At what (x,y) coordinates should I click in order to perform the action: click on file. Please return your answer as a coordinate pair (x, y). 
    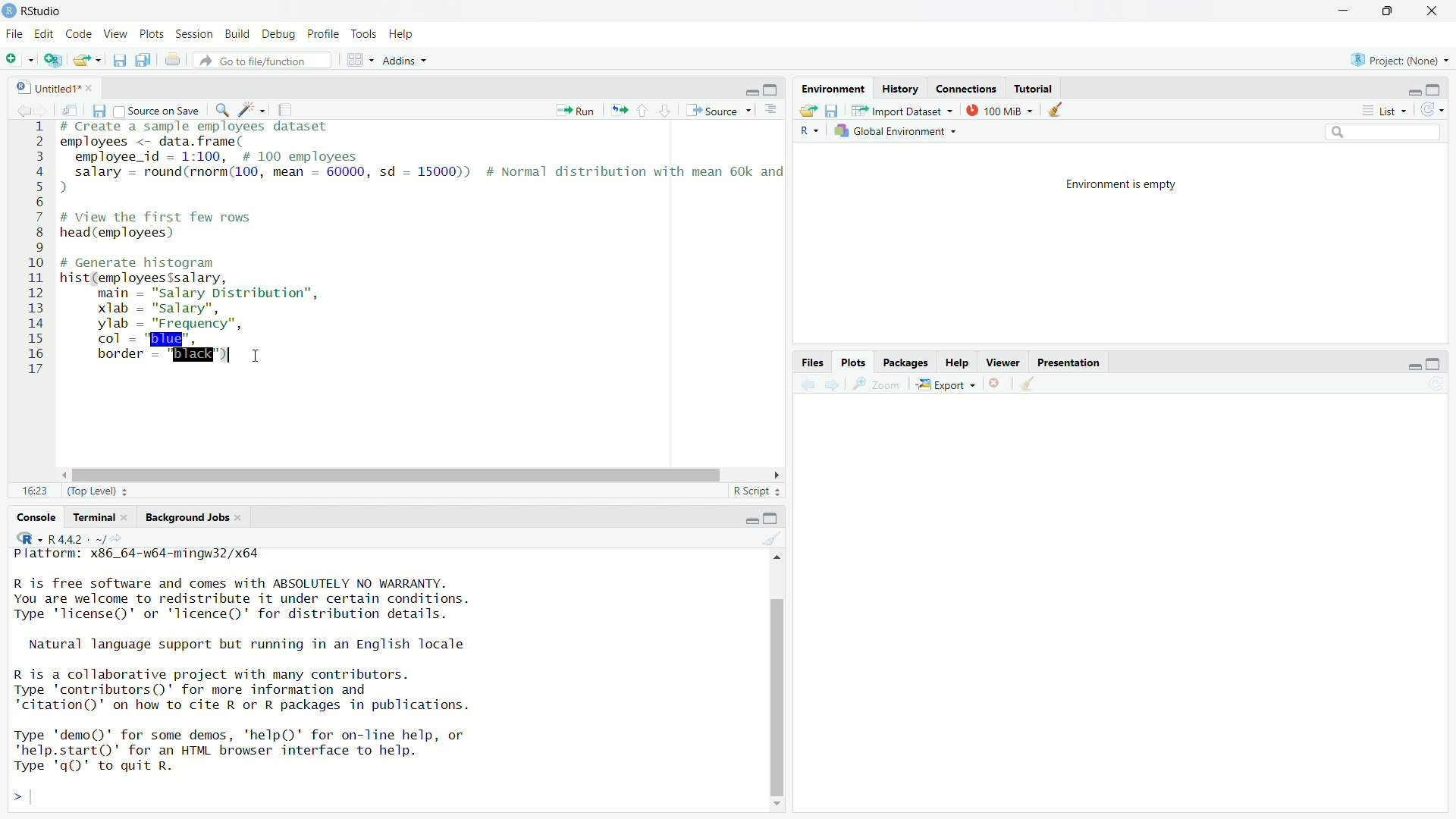
    Looking at the image, I should click on (807, 111).